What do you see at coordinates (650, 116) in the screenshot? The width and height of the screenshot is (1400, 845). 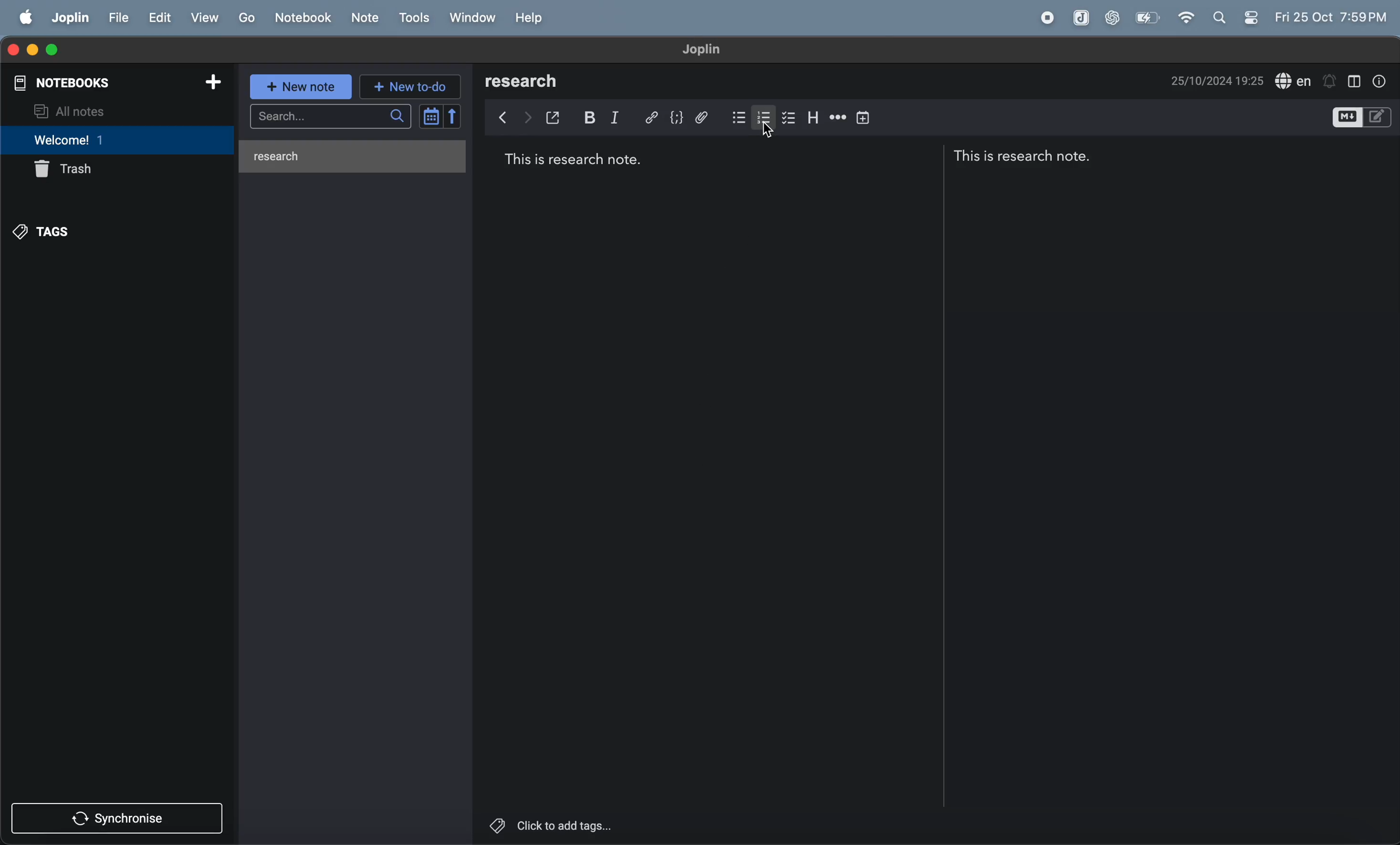 I see `hyperlink` at bounding box center [650, 116].